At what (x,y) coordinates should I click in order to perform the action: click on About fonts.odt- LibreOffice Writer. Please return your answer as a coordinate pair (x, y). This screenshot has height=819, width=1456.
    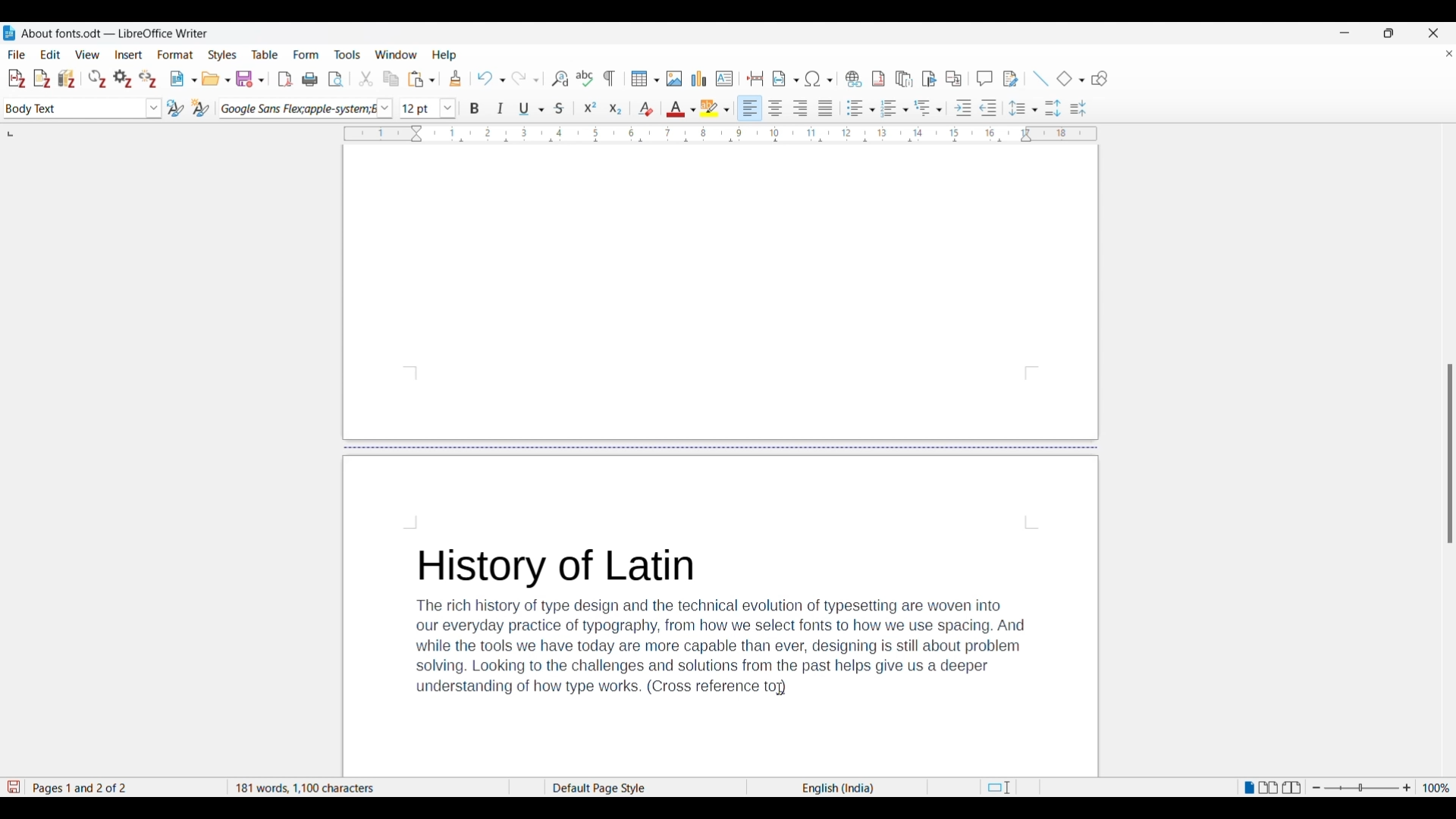
    Looking at the image, I should click on (115, 33).